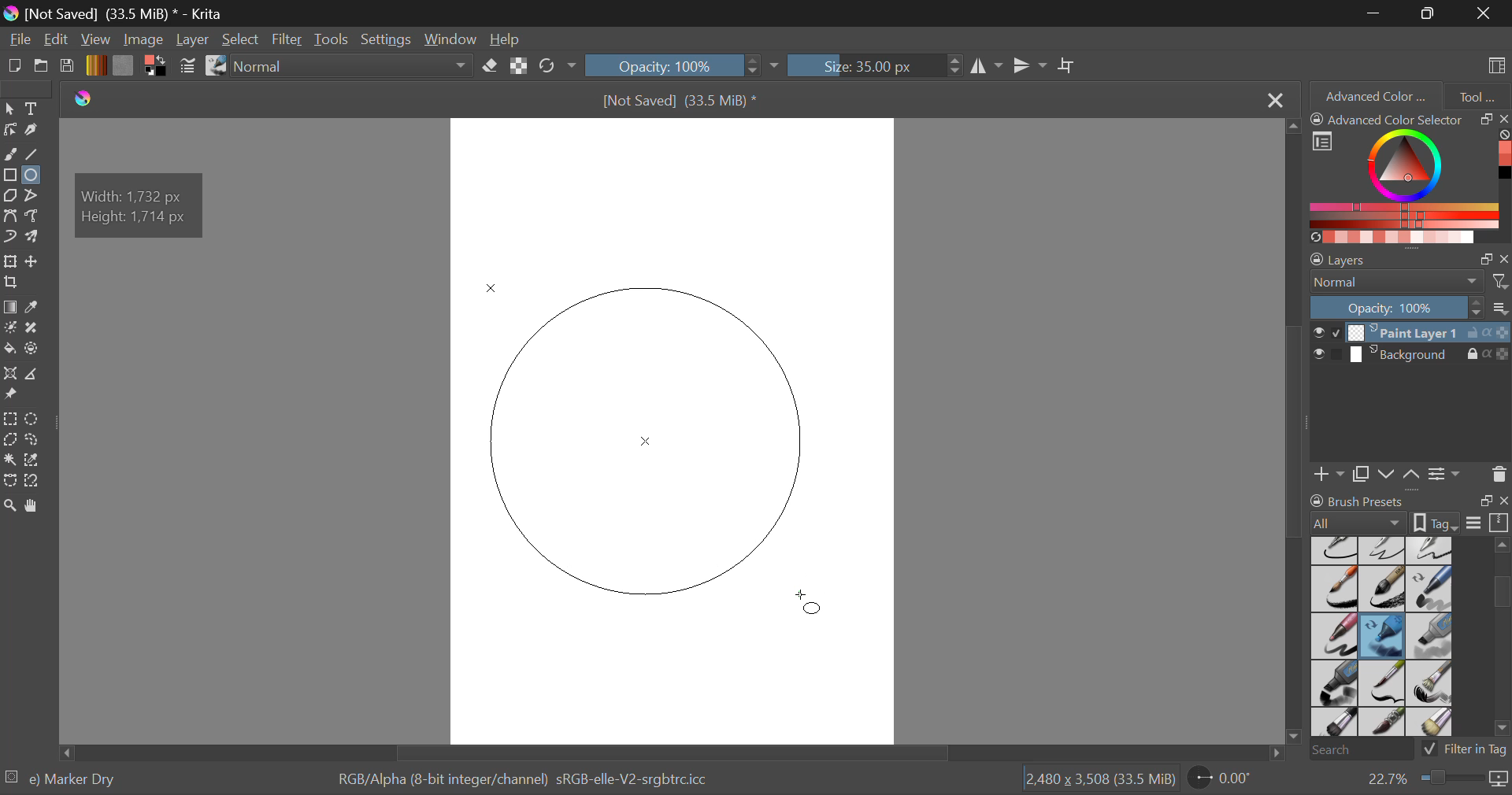 This screenshot has width=1512, height=795. Describe the element at coordinates (11, 154) in the screenshot. I see `Freehand` at that location.